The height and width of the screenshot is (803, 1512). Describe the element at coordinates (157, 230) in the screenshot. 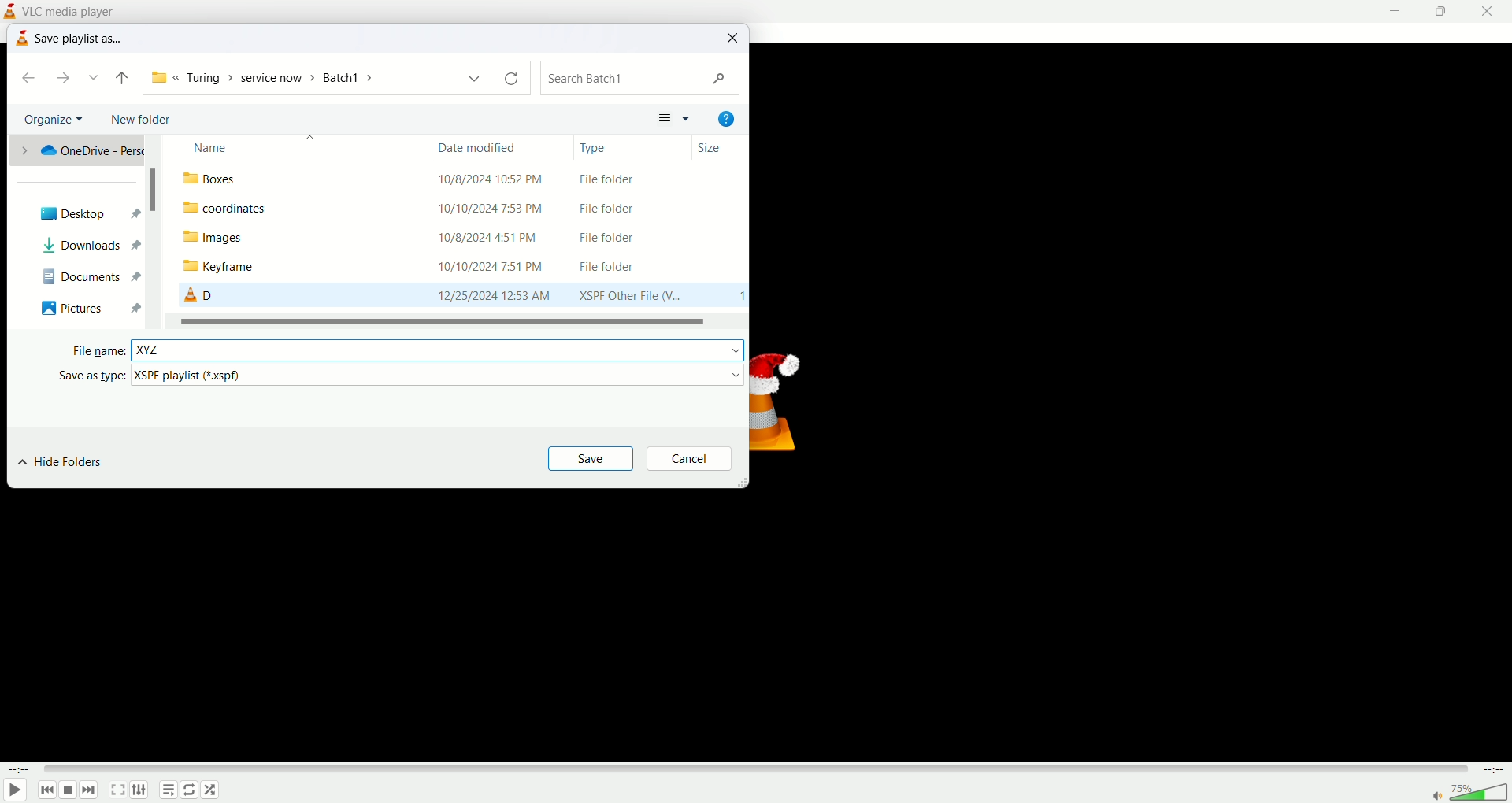

I see `vertical scroll bar` at that location.